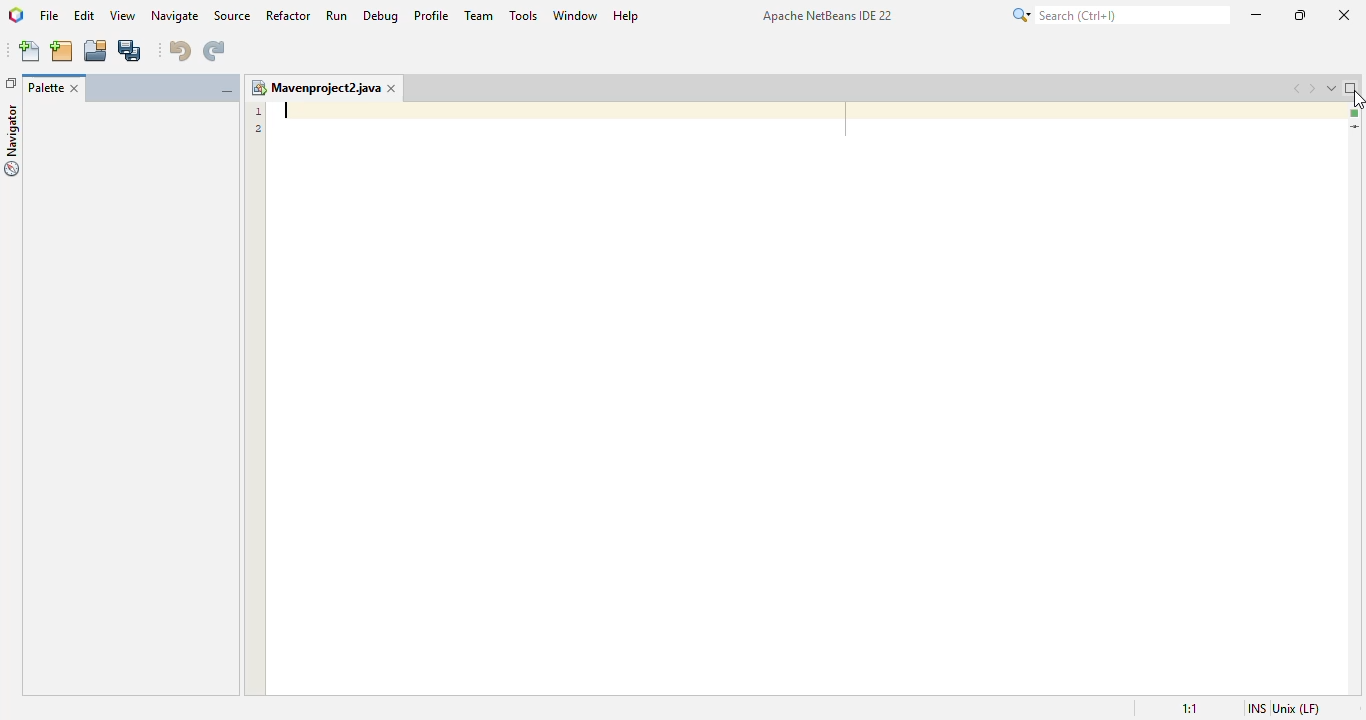 The width and height of the screenshot is (1366, 720). I want to click on view, so click(125, 15).